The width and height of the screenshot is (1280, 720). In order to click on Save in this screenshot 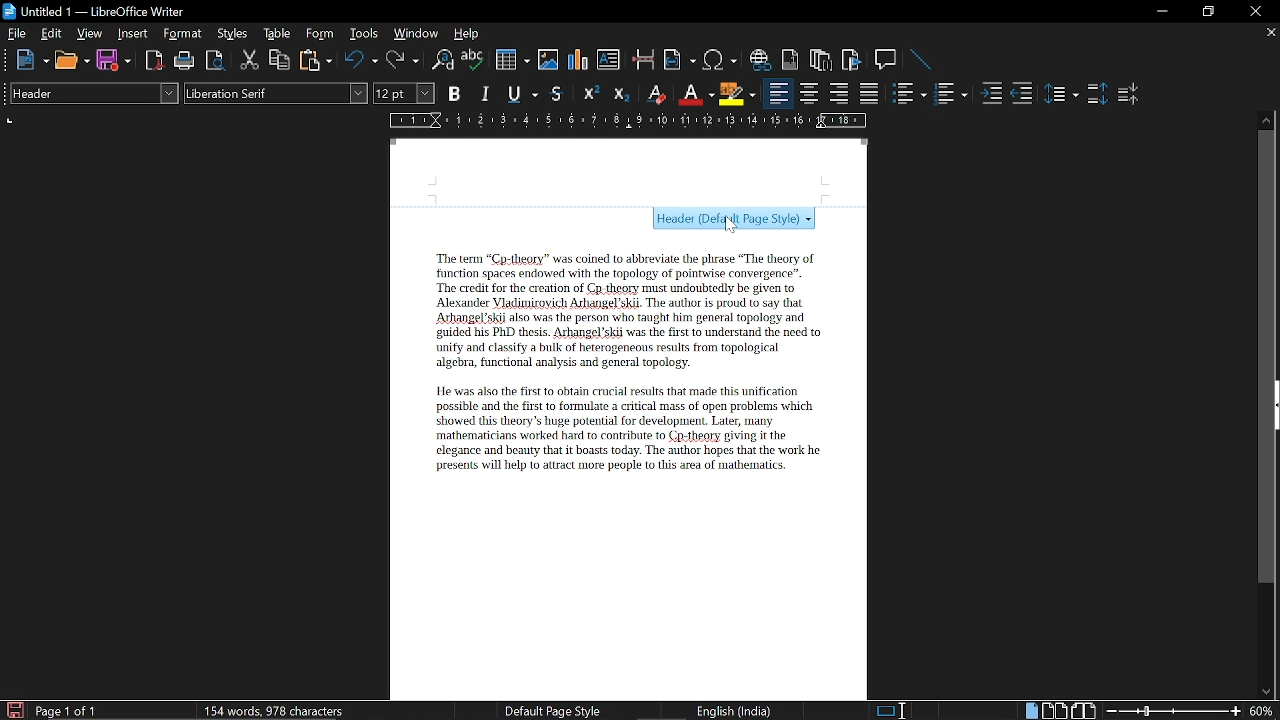, I will do `click(114, 61)`.